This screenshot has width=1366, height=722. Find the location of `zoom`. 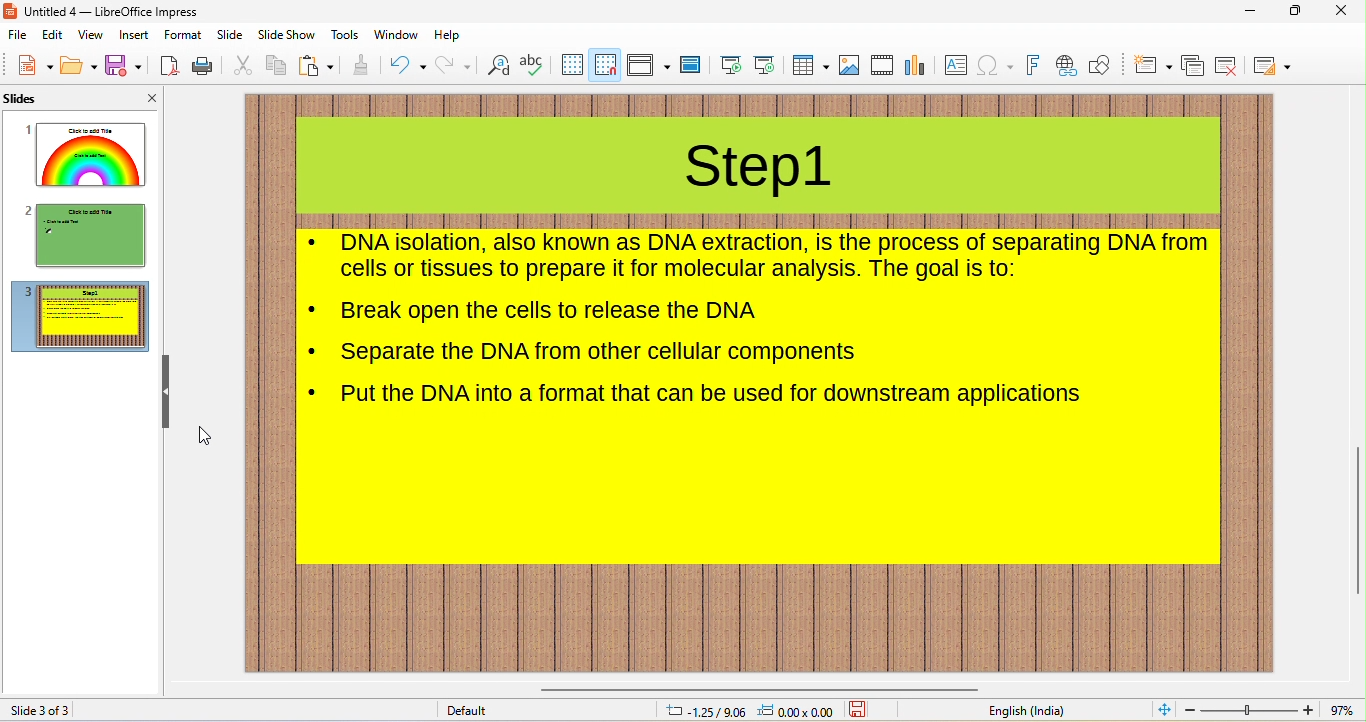

zoom is located at coordinates (1249, 710).